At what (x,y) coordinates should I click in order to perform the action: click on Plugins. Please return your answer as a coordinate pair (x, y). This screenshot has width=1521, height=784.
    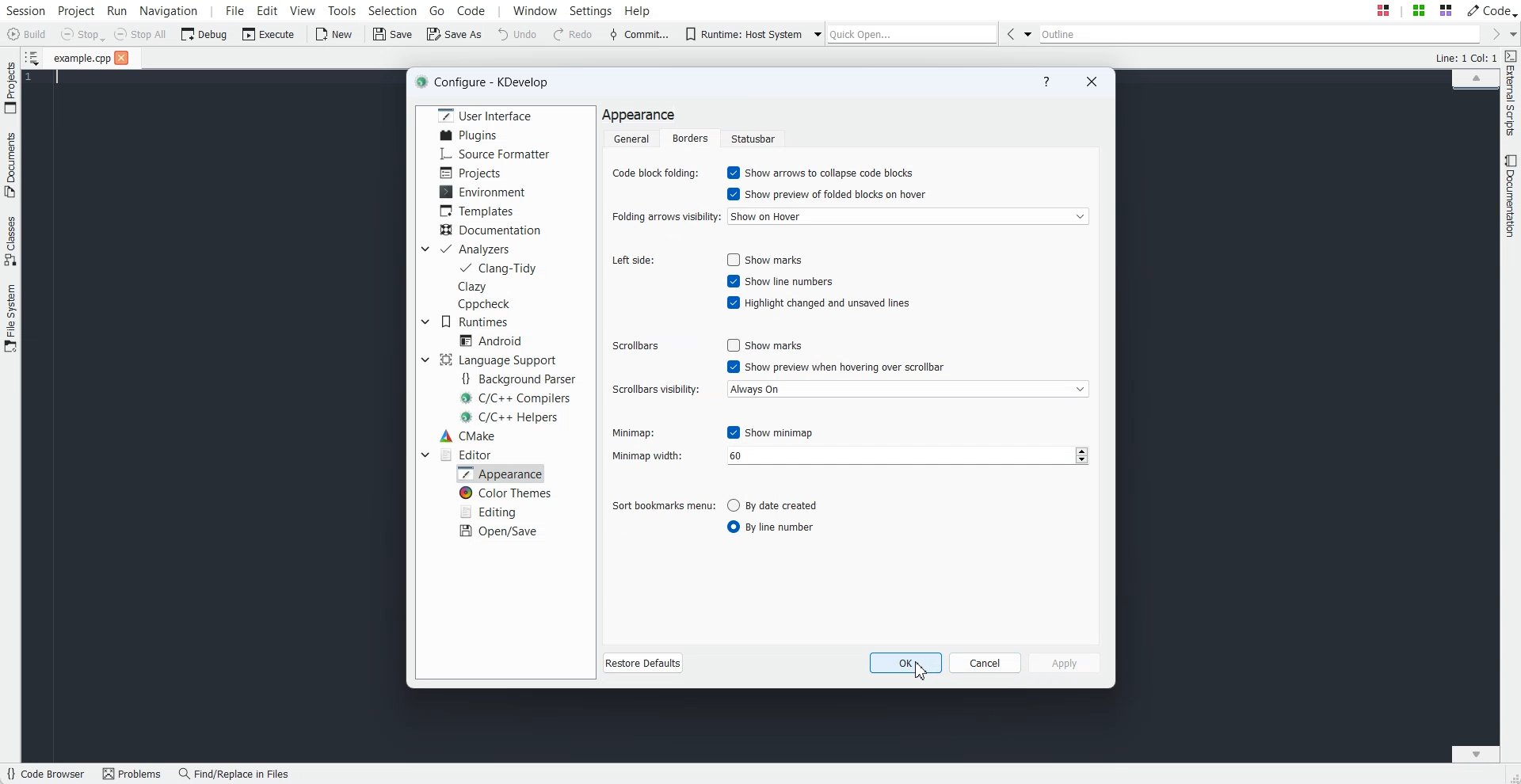
    Looking at the image, I should click on (471, 135).